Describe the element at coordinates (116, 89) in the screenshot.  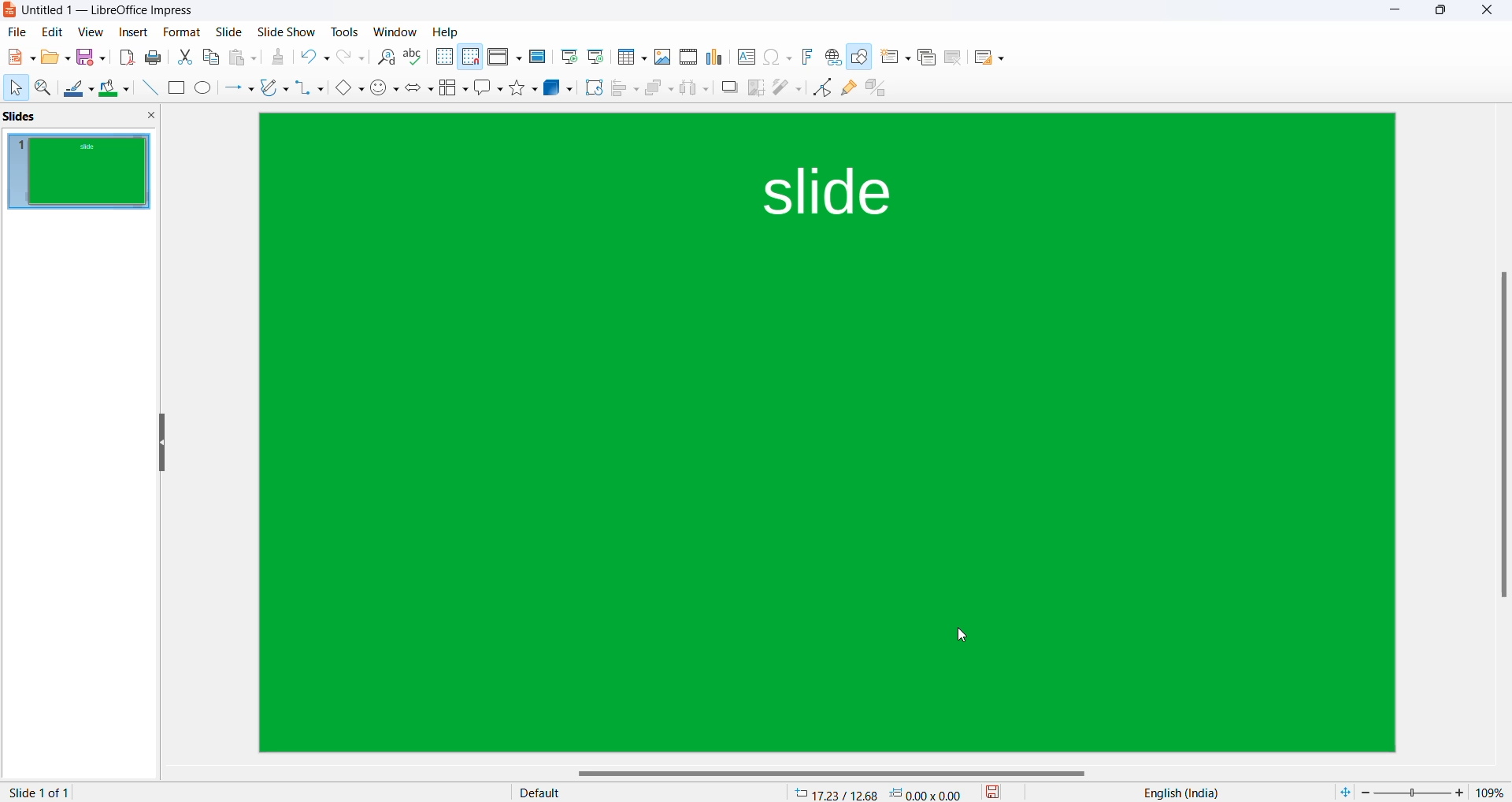
I see `fill color ` at that location.